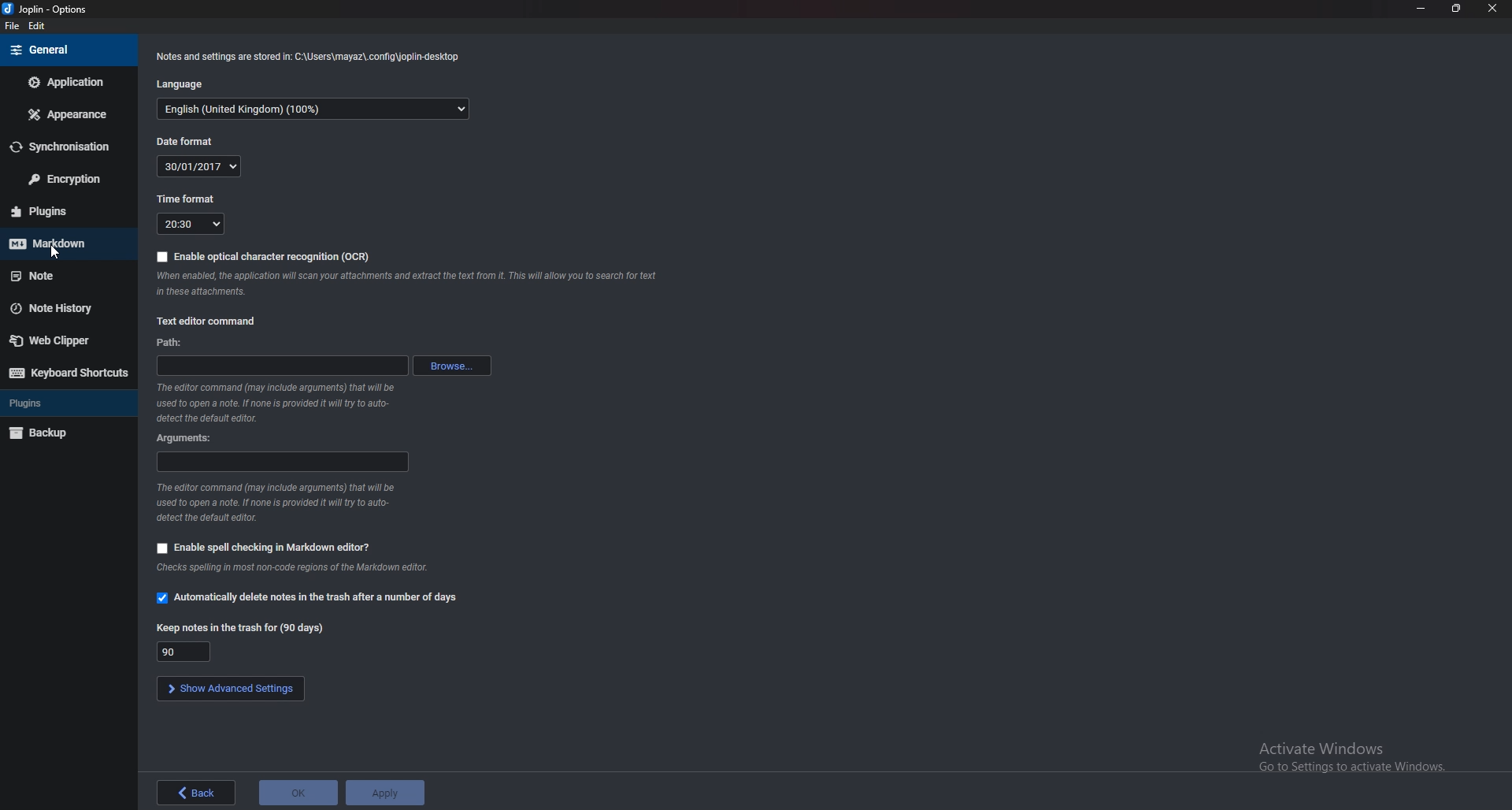 This screenshot has height=810, width=1512. I want to click on Appearance, so click(70, 113).